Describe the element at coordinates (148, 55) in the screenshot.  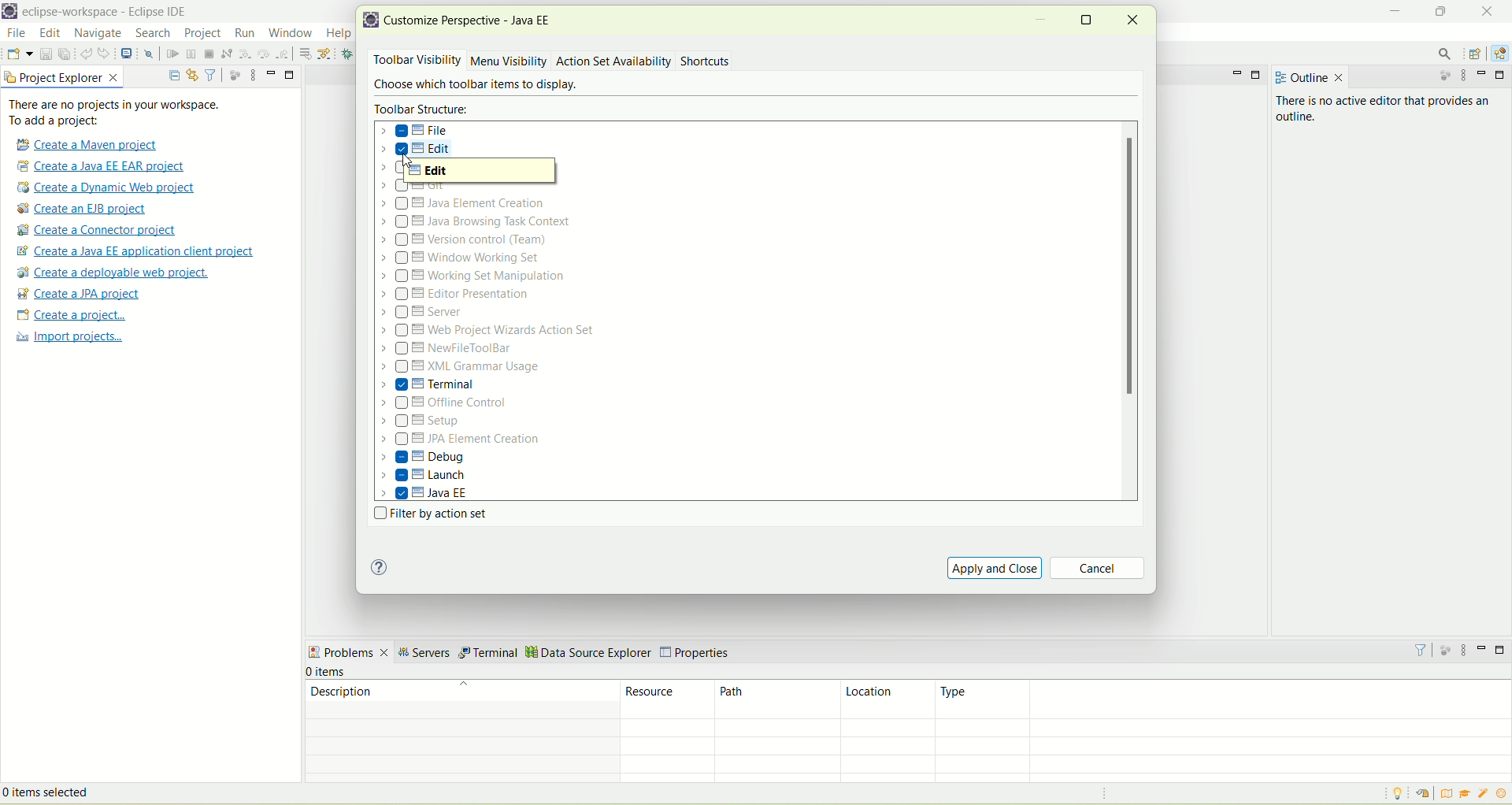
I see `skip all breakpoints` at that location.